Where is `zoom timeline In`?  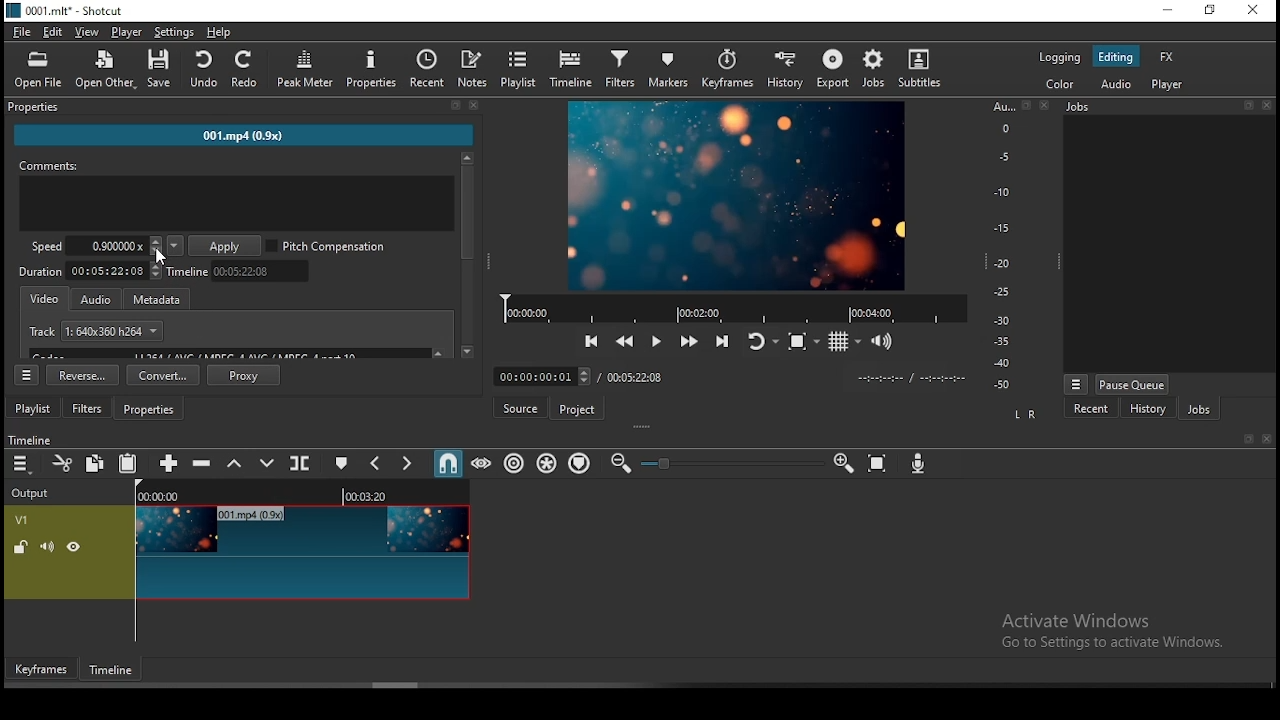
zoom timeline In is located at coordinates (842, 460).